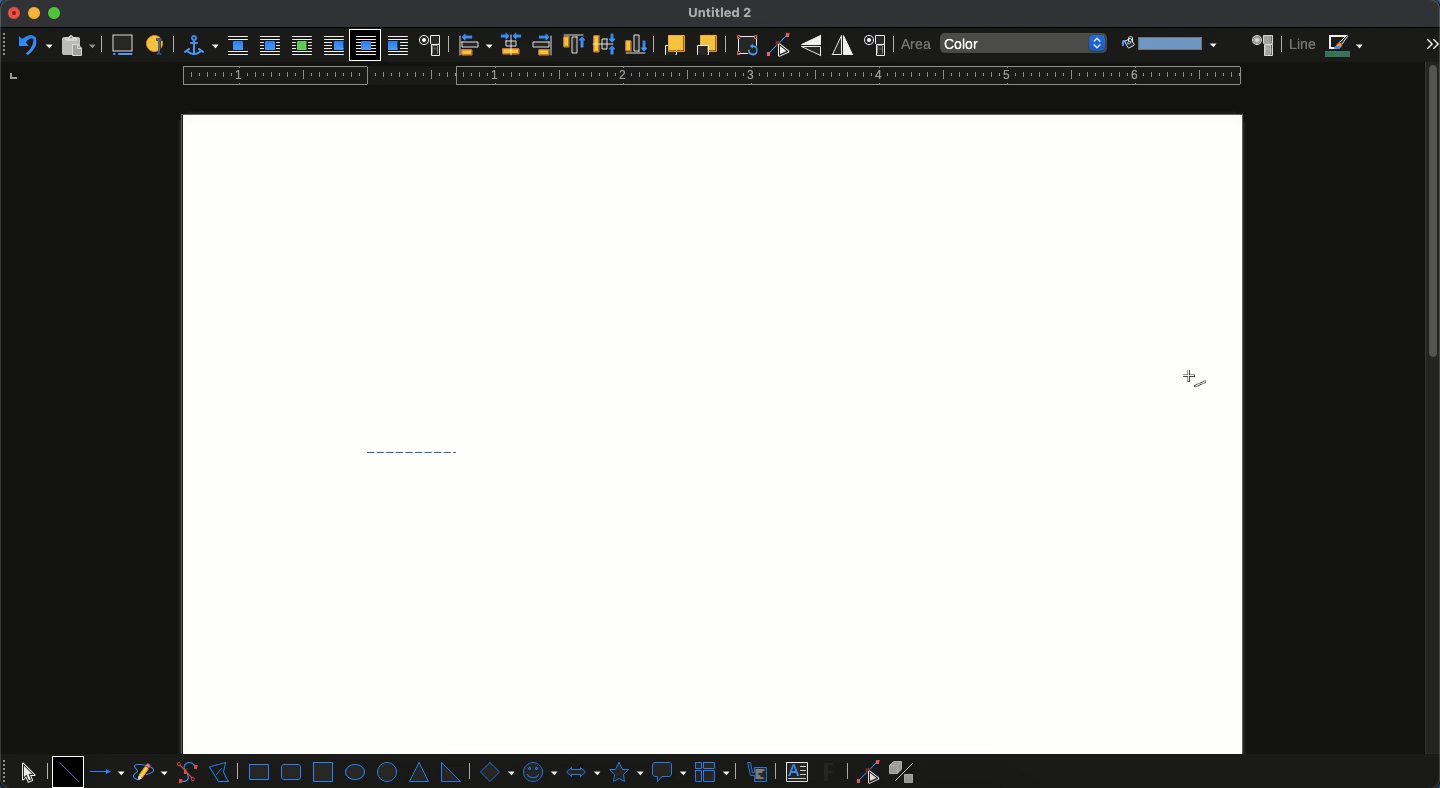 The image size is (1440, 788). I want to click on stars and banners, so click(624, 772).